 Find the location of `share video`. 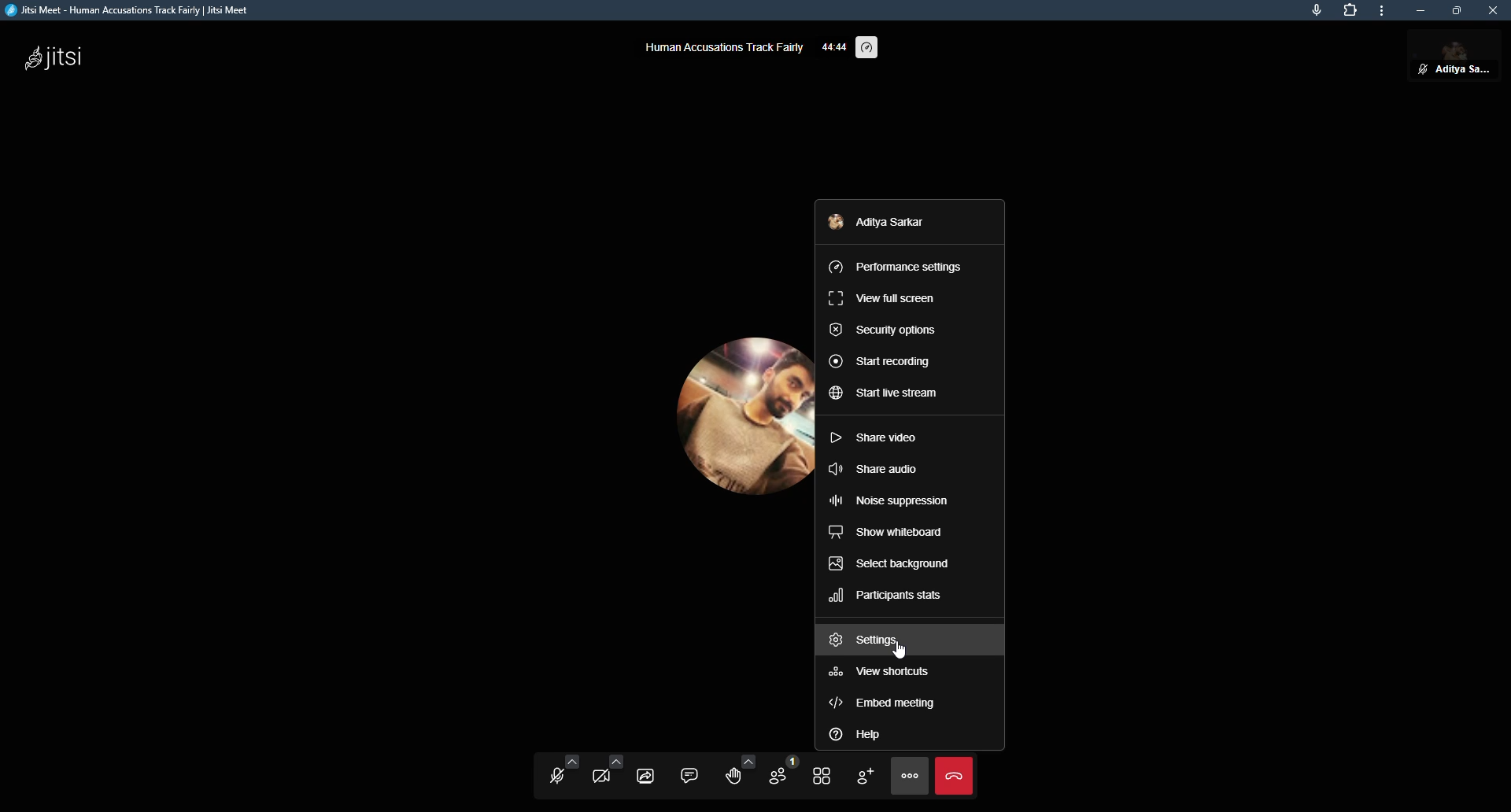

share video is located at coordinates (875, 437).